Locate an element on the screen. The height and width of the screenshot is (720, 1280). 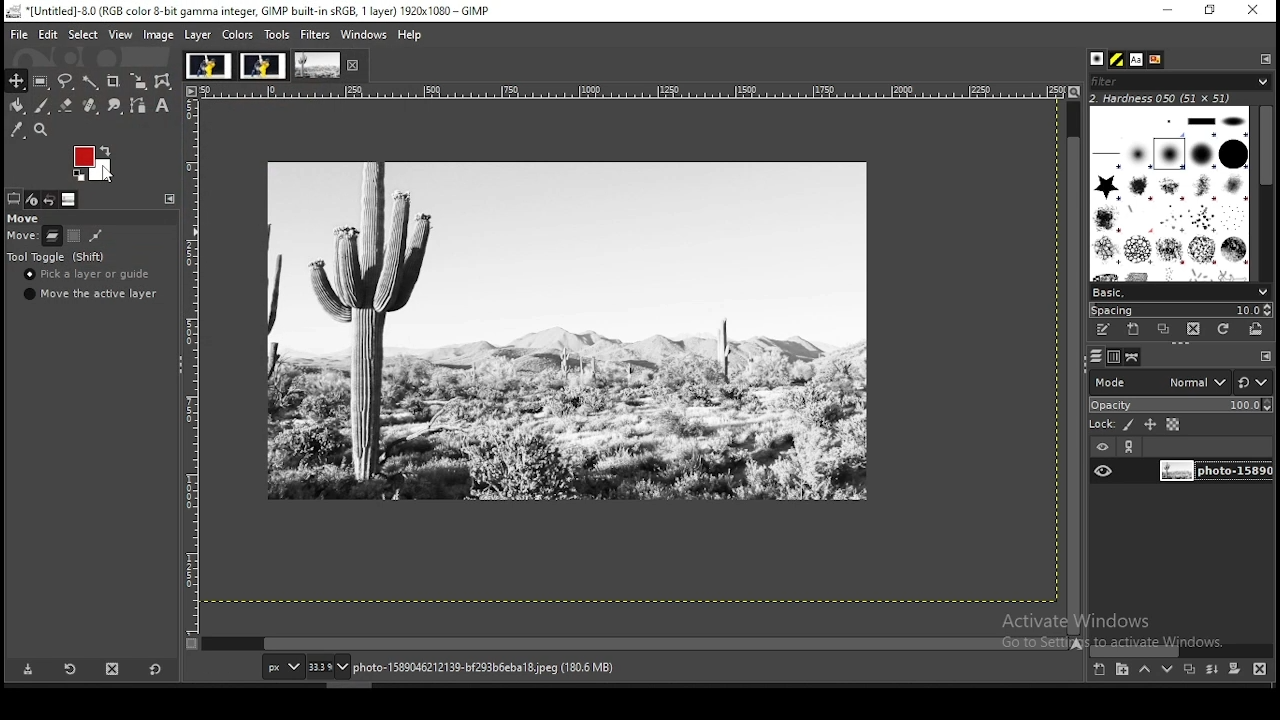
select brush preset is located at coordinates (1178, 291).